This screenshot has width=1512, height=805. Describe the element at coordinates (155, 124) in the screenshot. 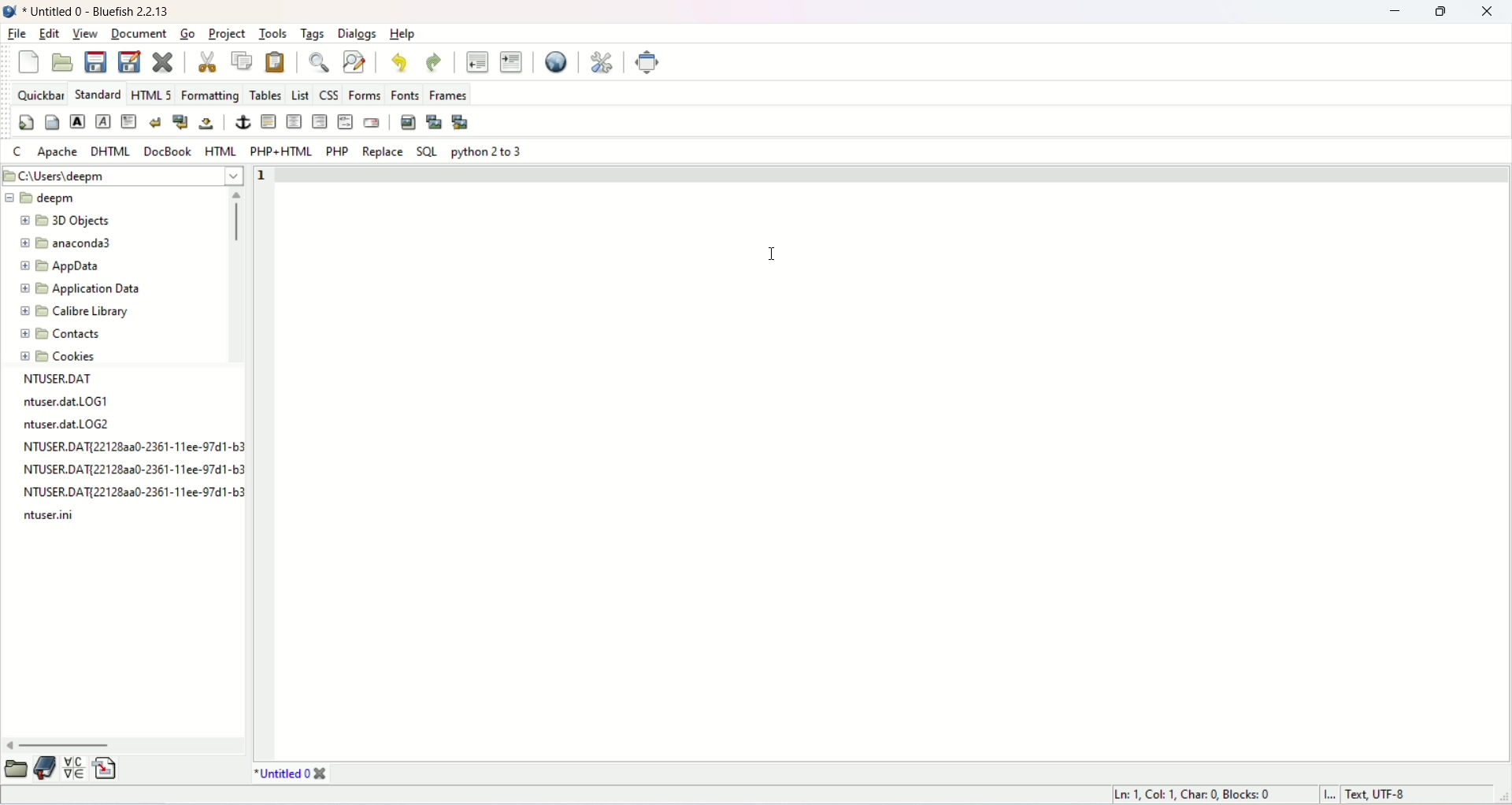

I see `break` at that location.